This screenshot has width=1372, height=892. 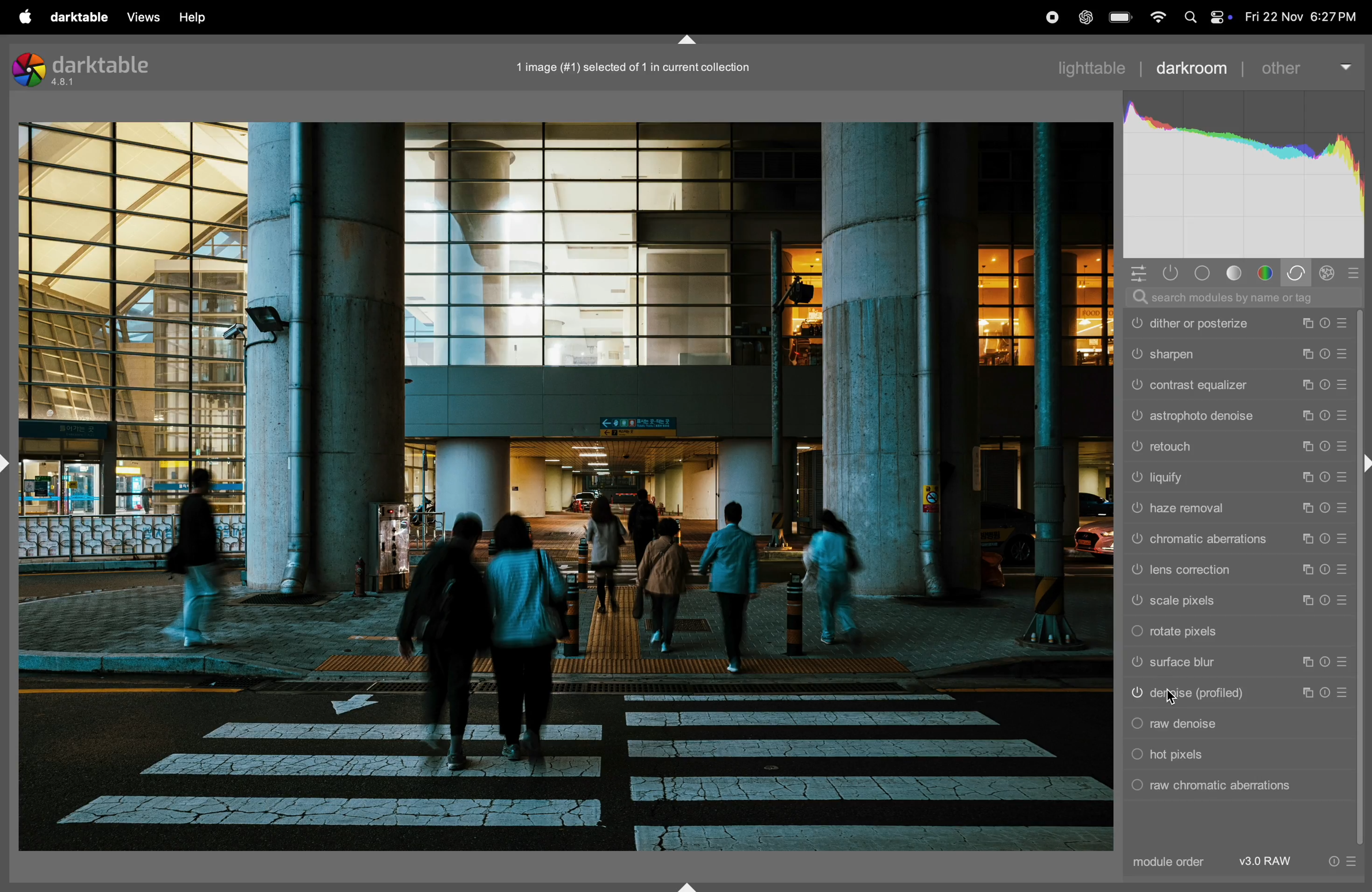 I want to click on hot pixels, so click(x=1235, y=754).